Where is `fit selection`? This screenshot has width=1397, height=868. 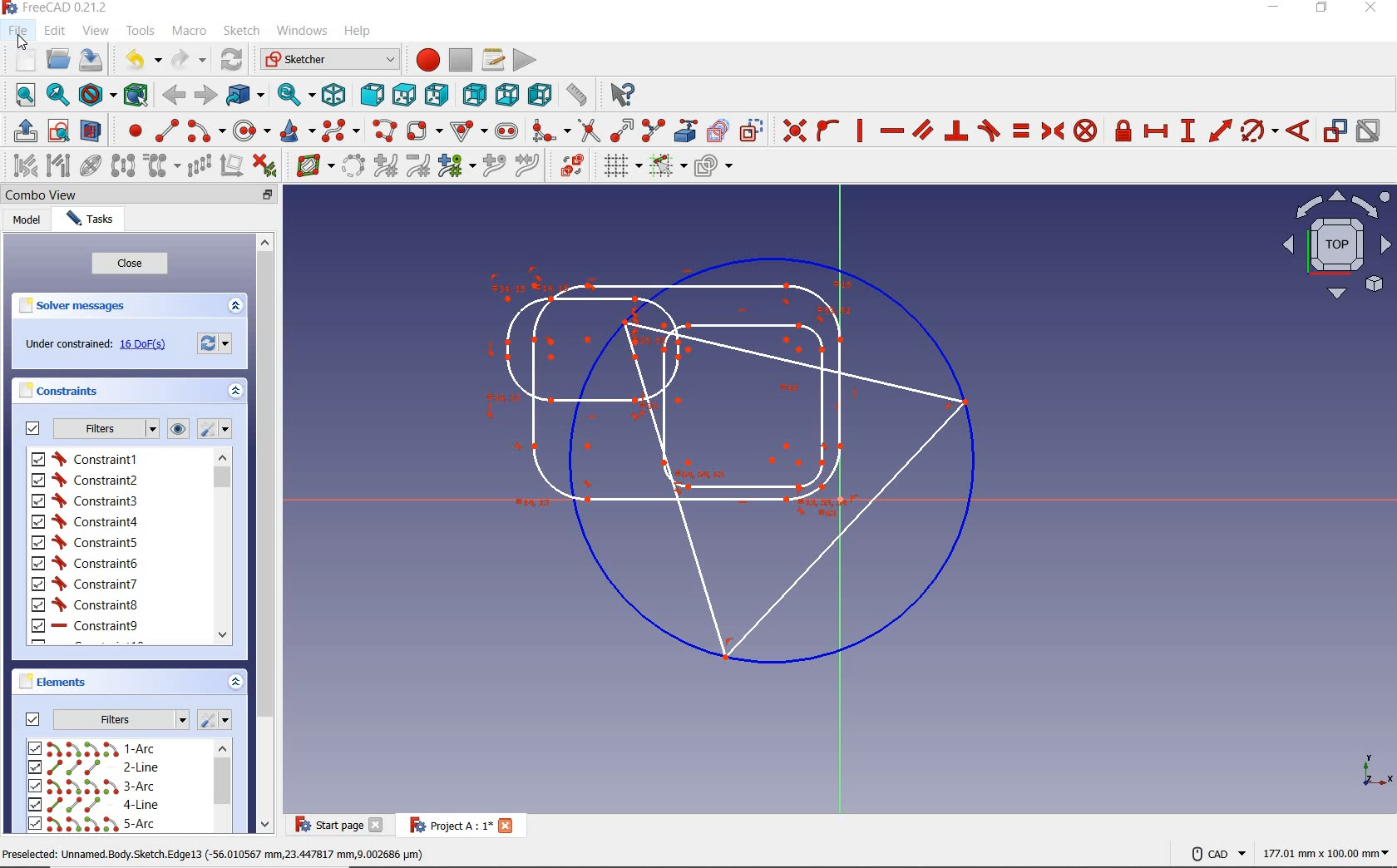
fit selection is located at coordinates (57, 94).